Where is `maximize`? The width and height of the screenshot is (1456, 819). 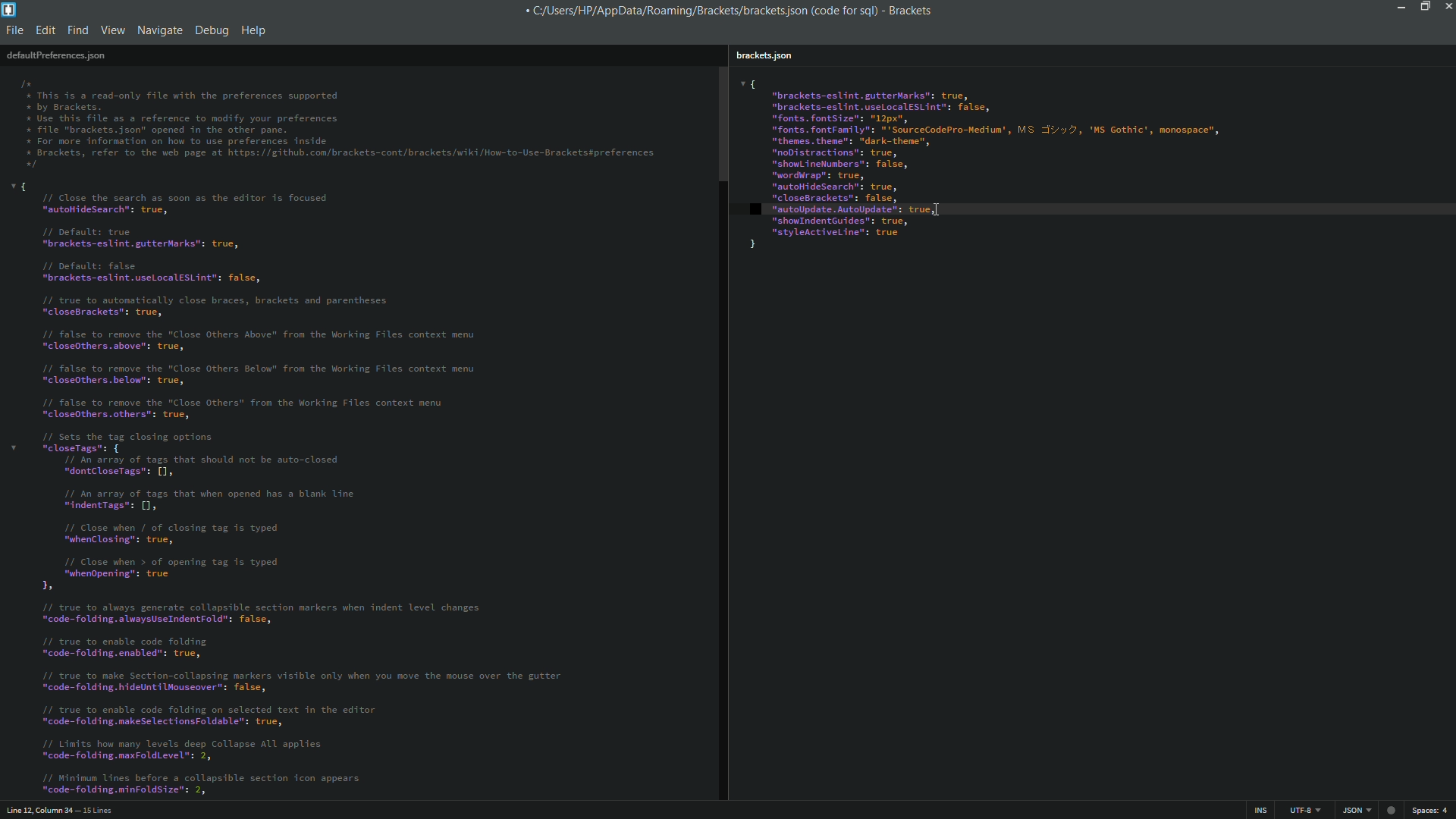 maximize is located at coordinates (1423, 7).